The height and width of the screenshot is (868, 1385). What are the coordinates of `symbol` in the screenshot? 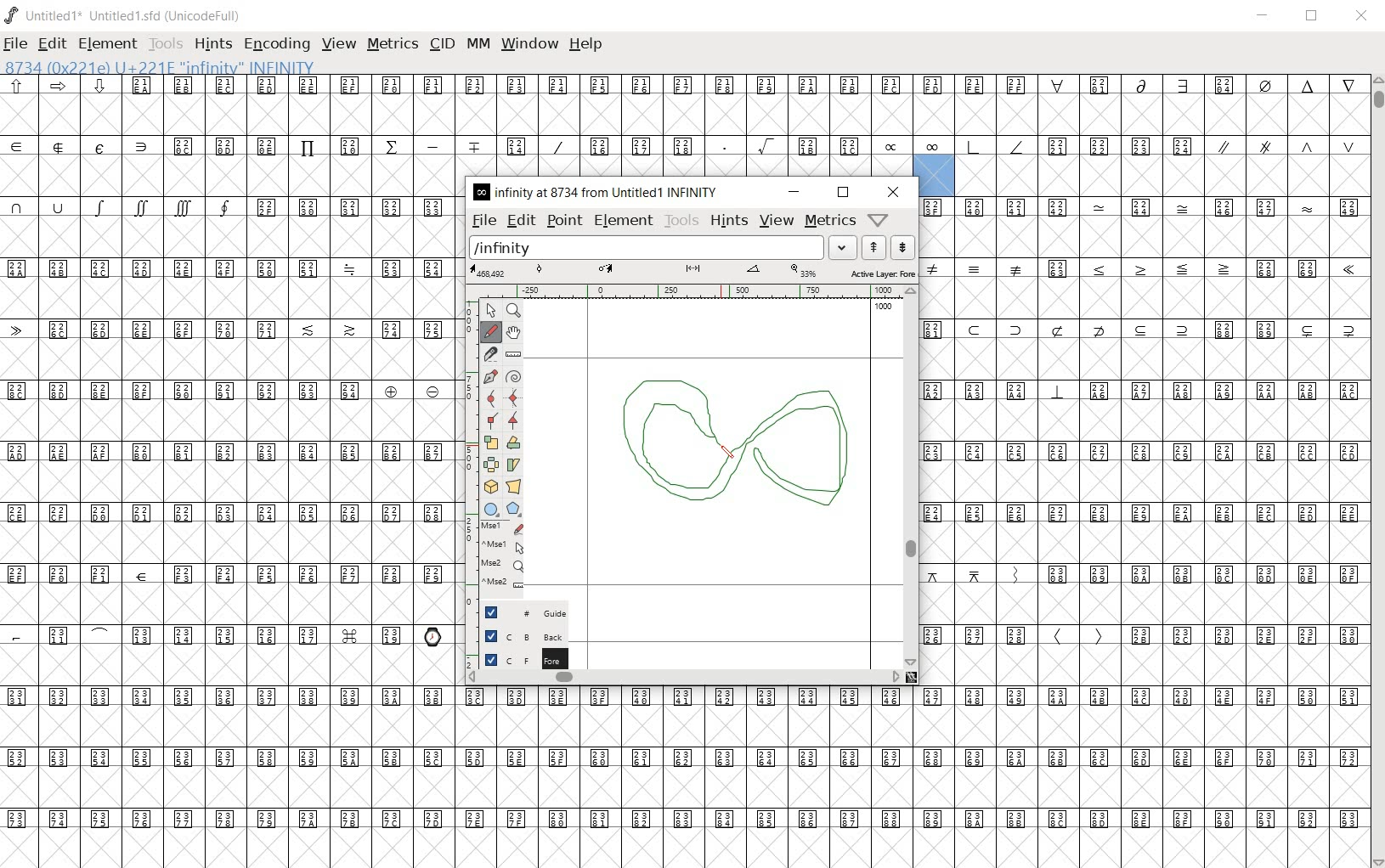 It's located at (1058, 391).